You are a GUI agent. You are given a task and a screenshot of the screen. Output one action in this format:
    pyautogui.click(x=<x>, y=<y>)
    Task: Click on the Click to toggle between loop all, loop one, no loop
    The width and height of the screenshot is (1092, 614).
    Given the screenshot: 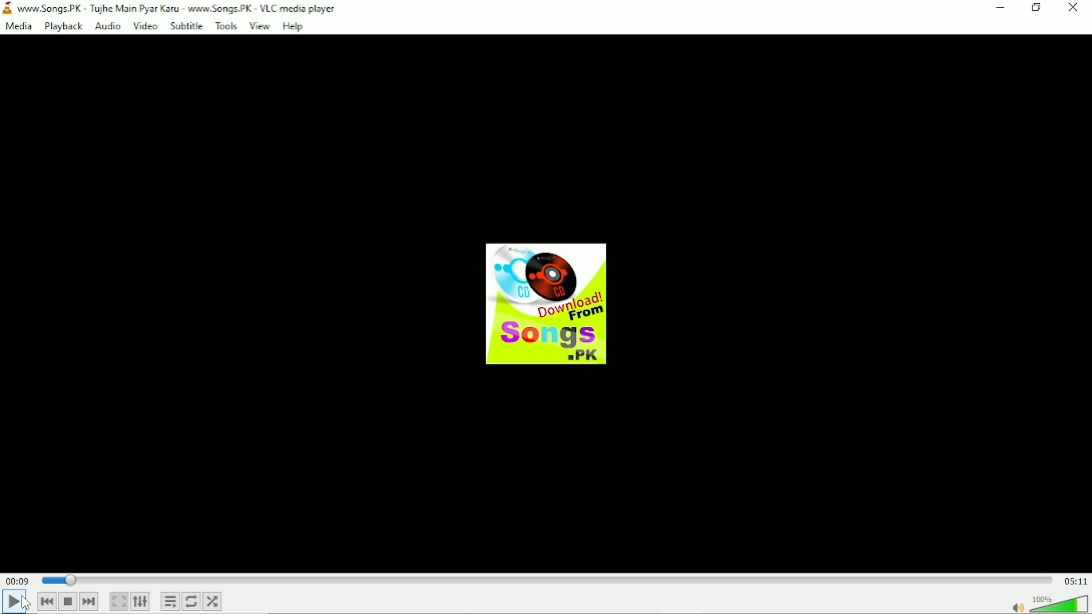 What is the action you would take?
    pyautogui.click(x=192, y=601)
    